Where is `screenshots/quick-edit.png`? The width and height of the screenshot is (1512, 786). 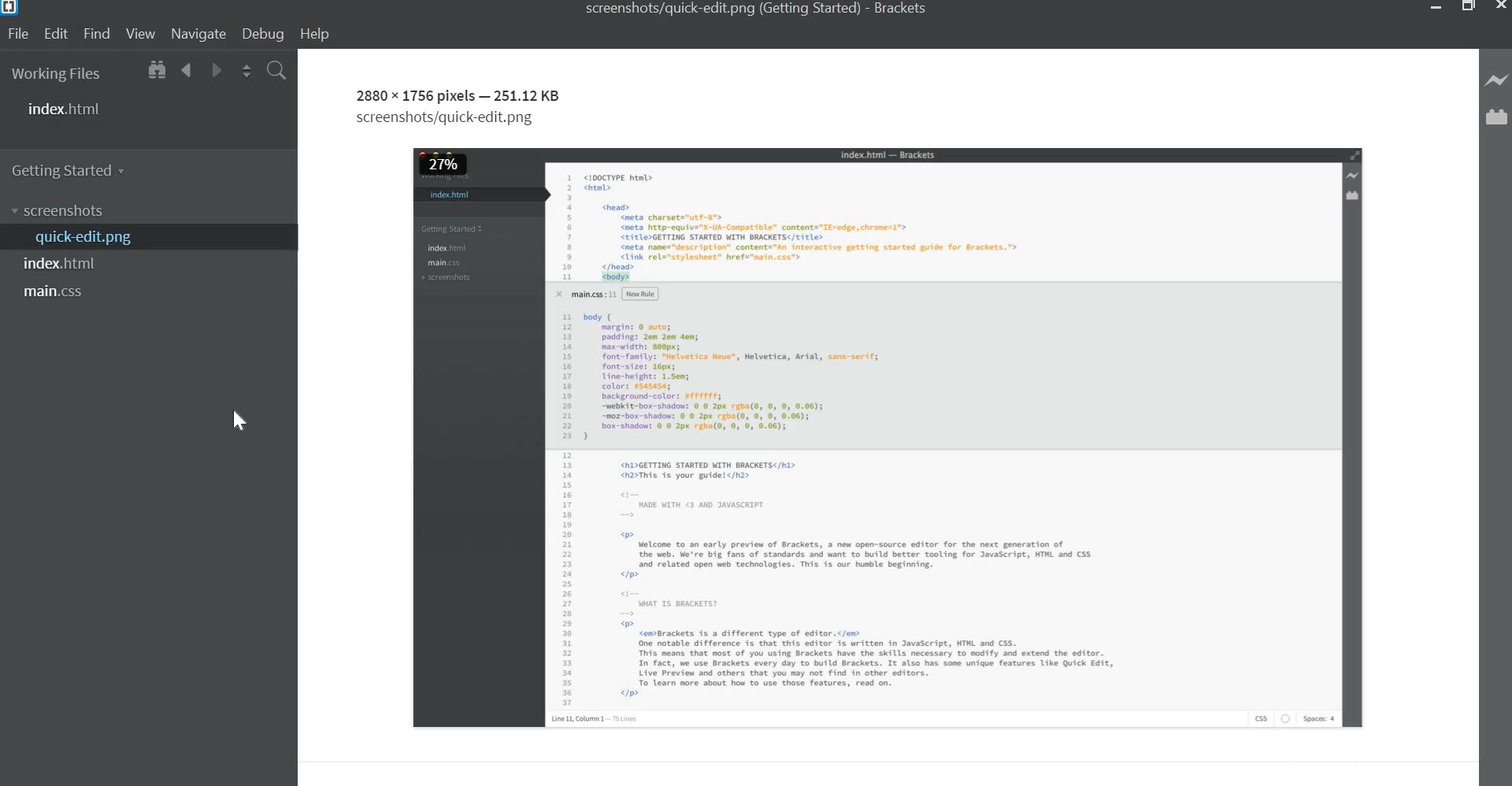 screenshots/quick-edit.png is located at coordinates (448, 120).